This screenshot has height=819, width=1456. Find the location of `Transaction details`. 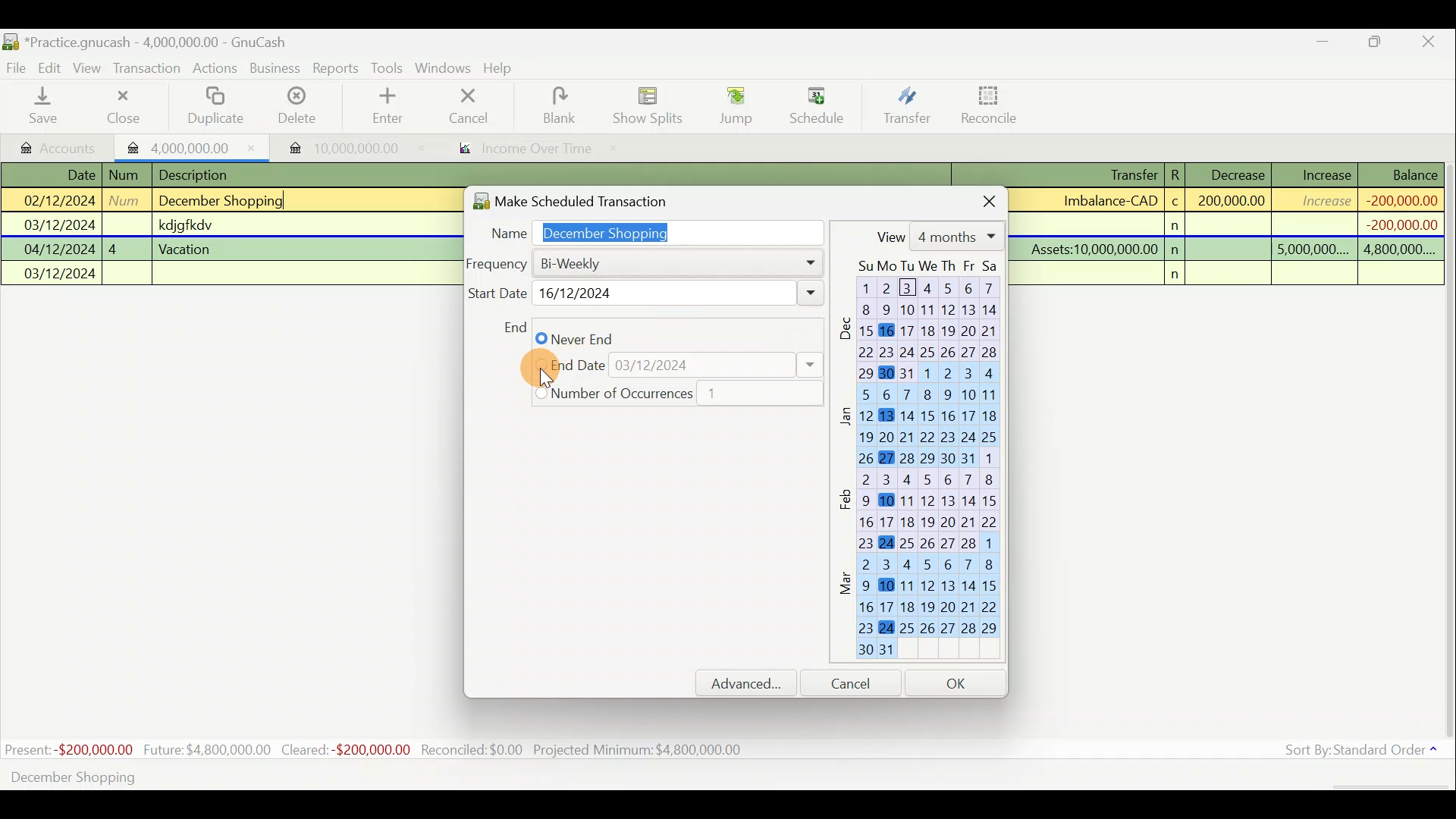

Transaction details is located at coordinates (1235, 224).